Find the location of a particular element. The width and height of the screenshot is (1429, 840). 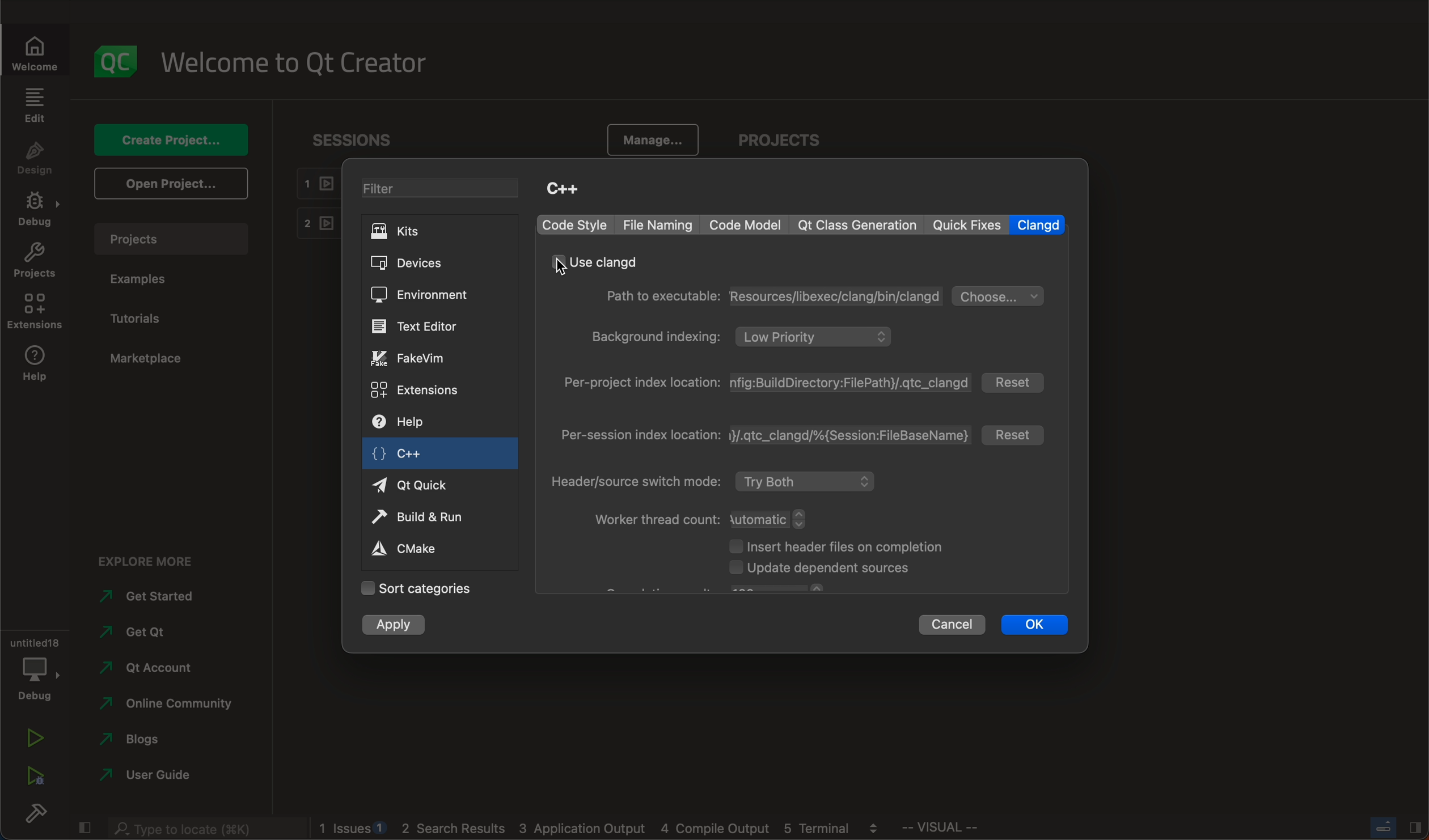

DEVICES is located at coordinates (425, 264).